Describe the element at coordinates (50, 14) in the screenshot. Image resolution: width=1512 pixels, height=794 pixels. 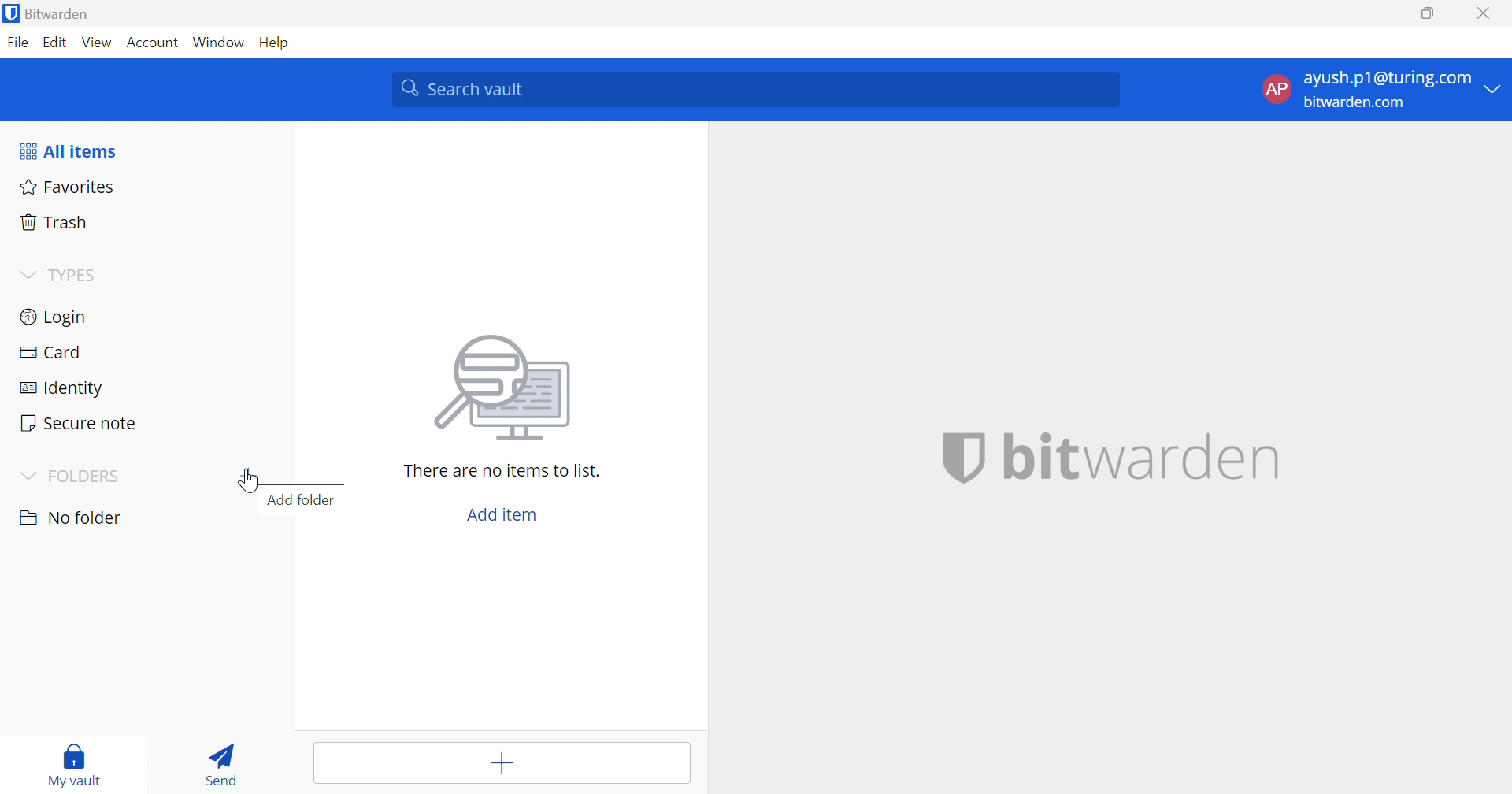
I see `Bitwarden` at that location.